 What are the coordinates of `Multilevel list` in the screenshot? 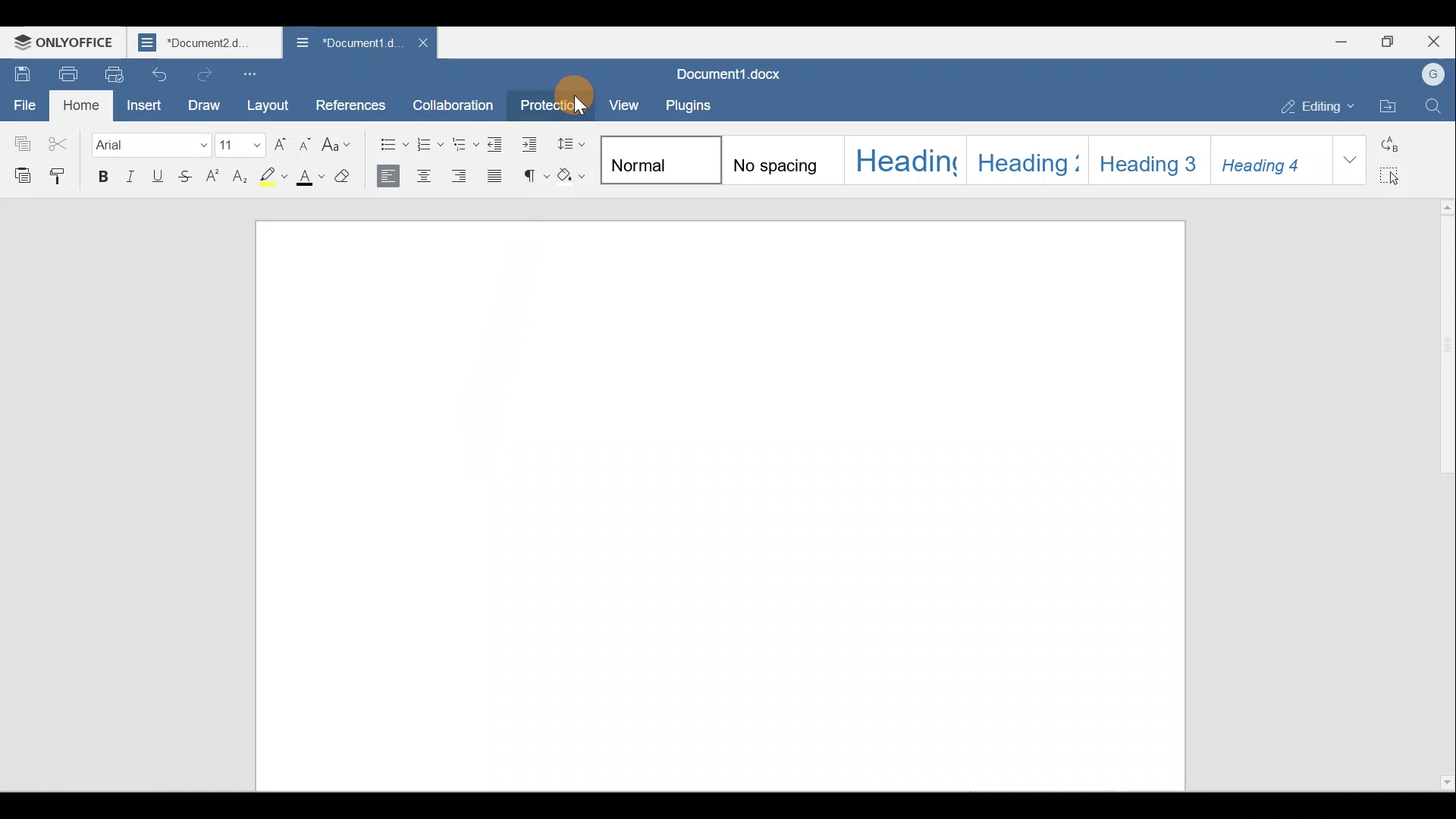 It's located at (467, 143).